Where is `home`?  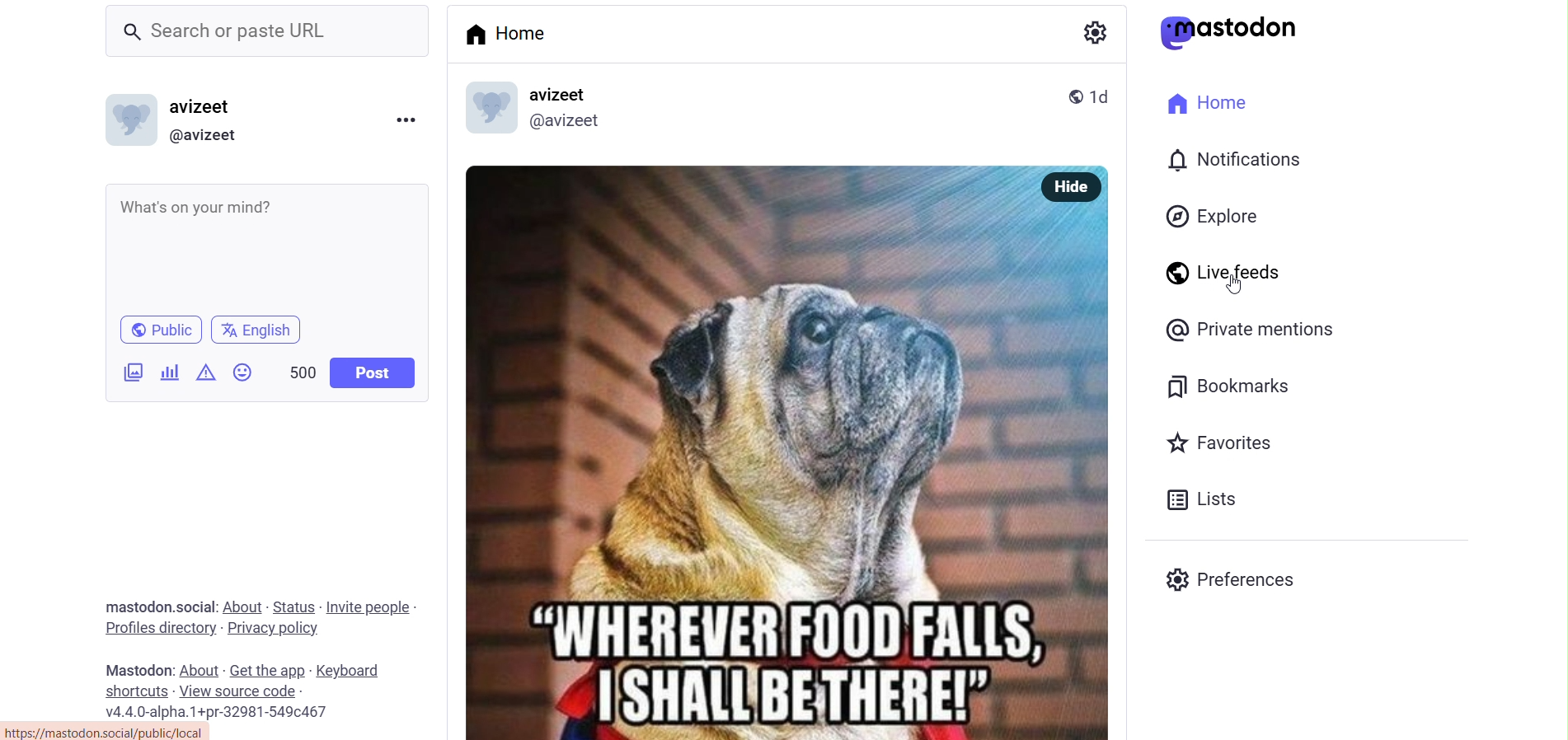
home is located at coordinates (1214, 102).